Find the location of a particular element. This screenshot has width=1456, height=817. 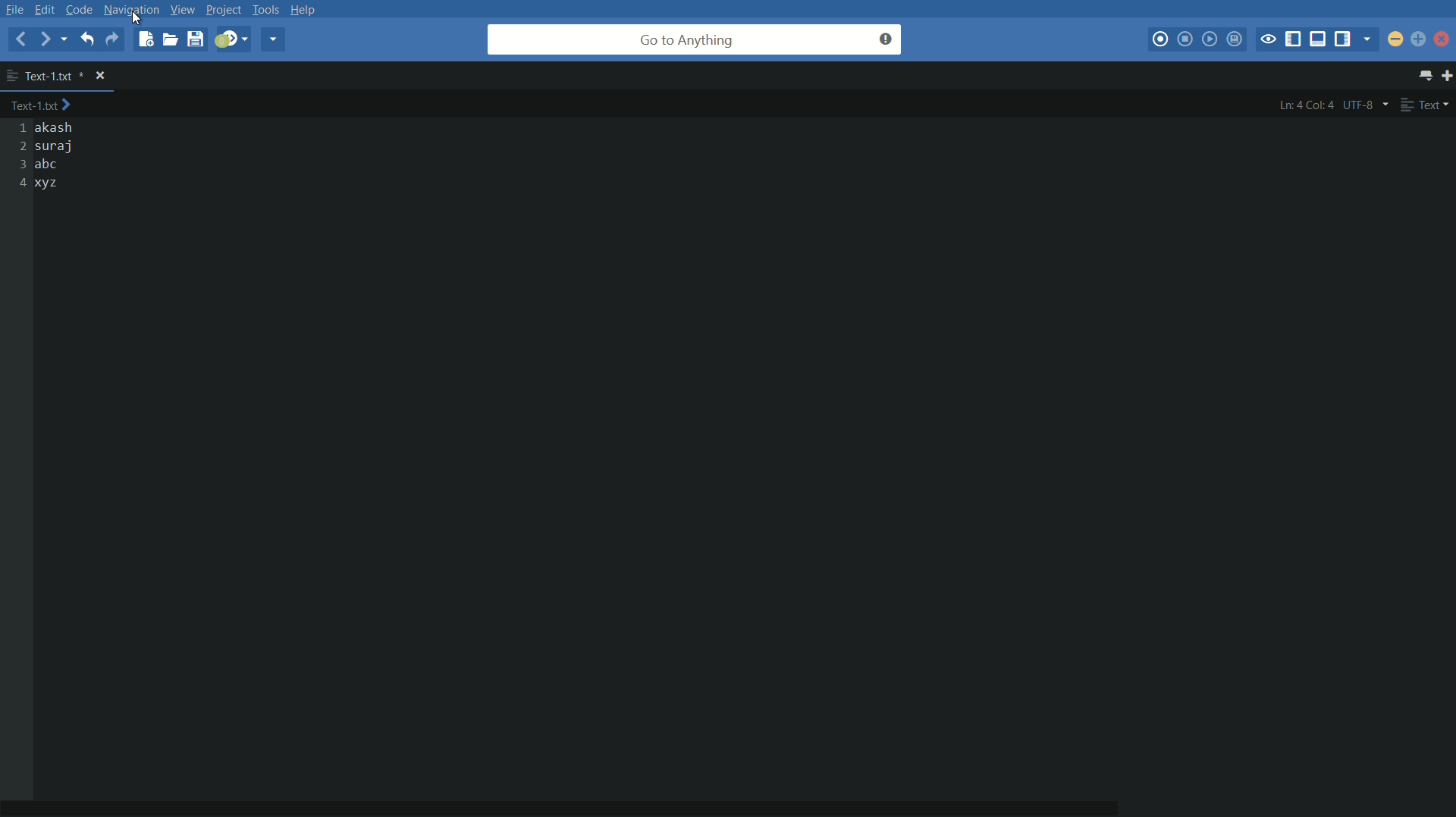

toggle focus mode is located at coordinates (1269, 39).